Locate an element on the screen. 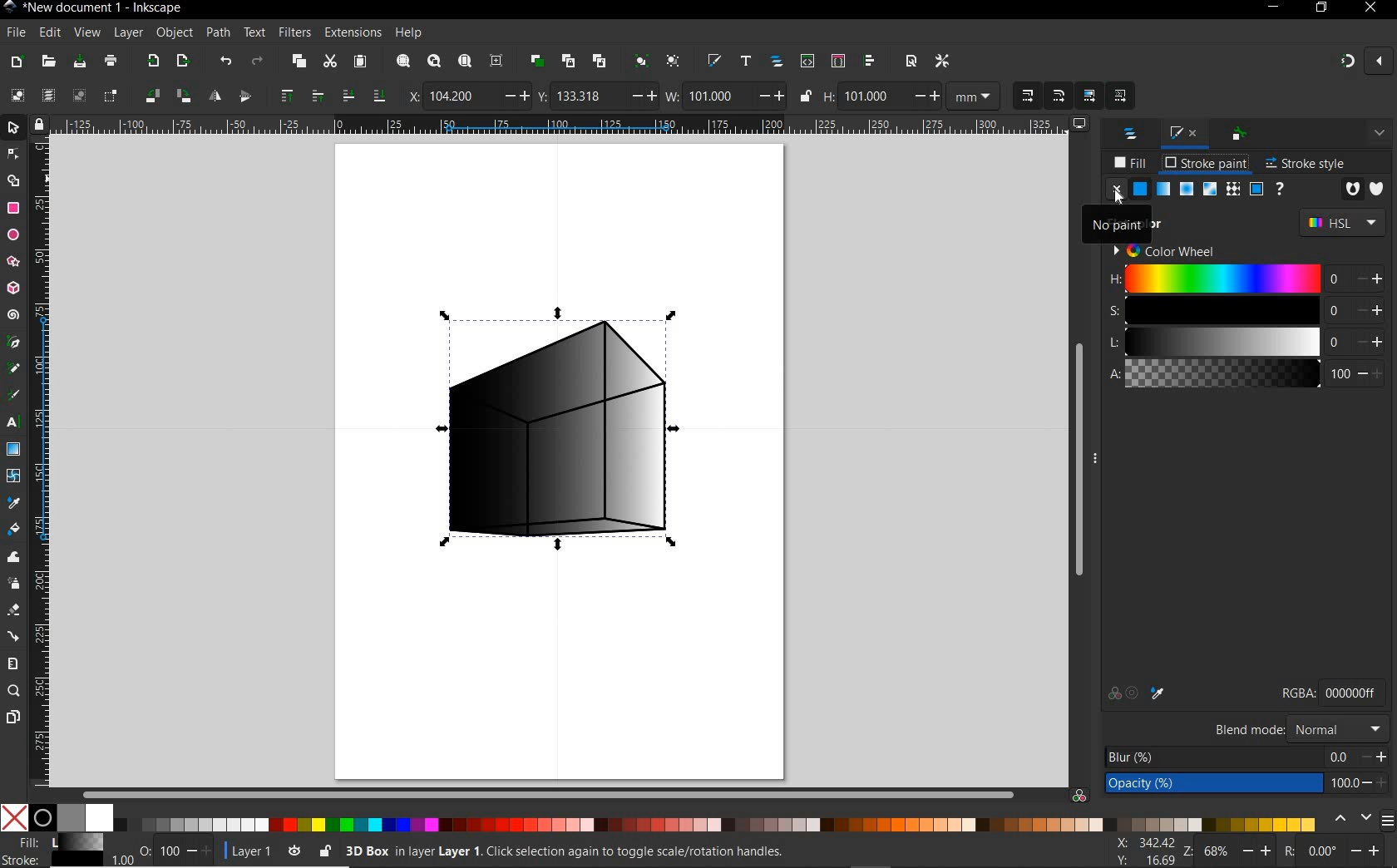 The image size is (1397, 868). SCALING is located at coordinates (1027, 95).